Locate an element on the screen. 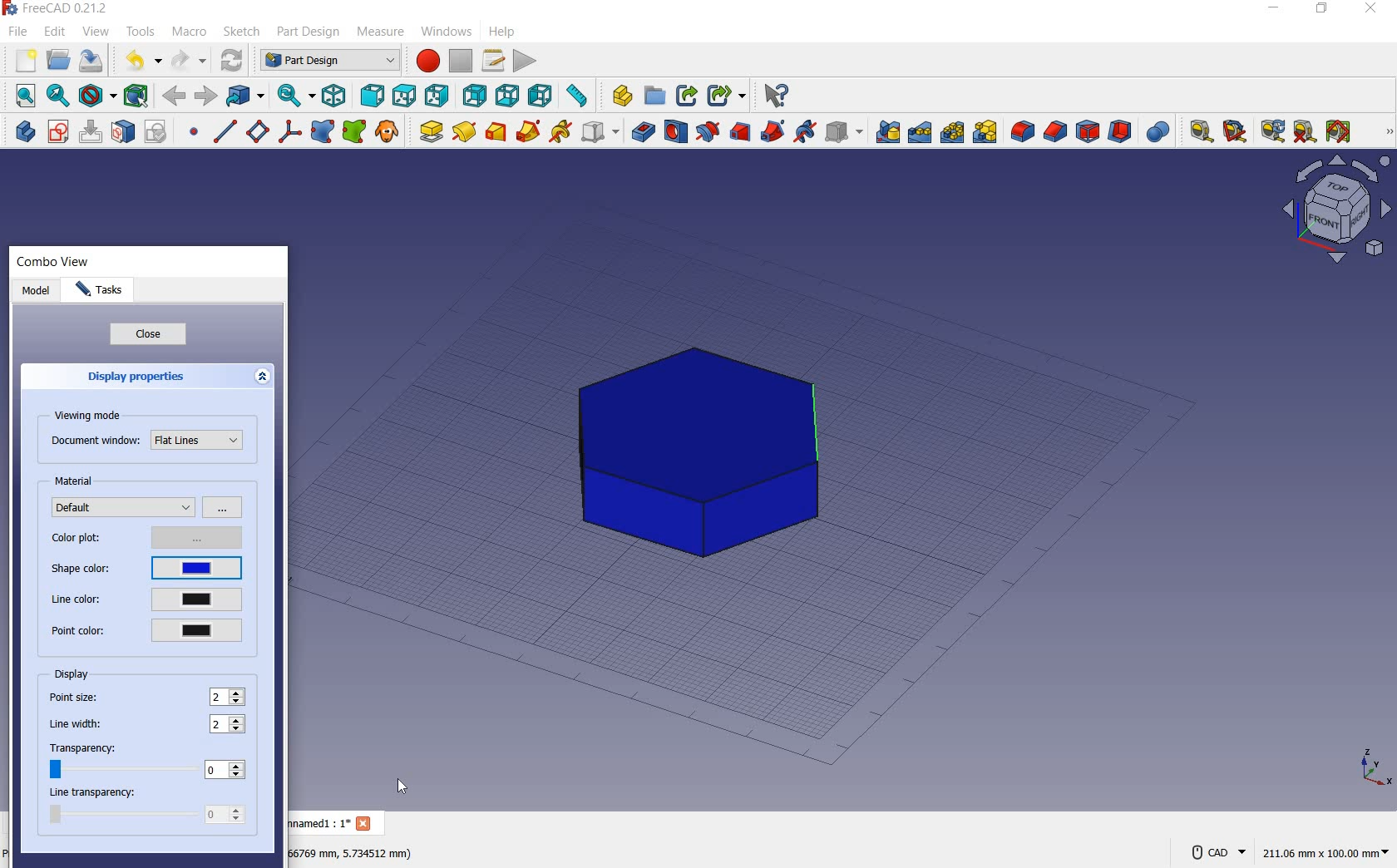 The width and height of the screenshot is (1397, 868). combo view is located at coordinates (55, 264).